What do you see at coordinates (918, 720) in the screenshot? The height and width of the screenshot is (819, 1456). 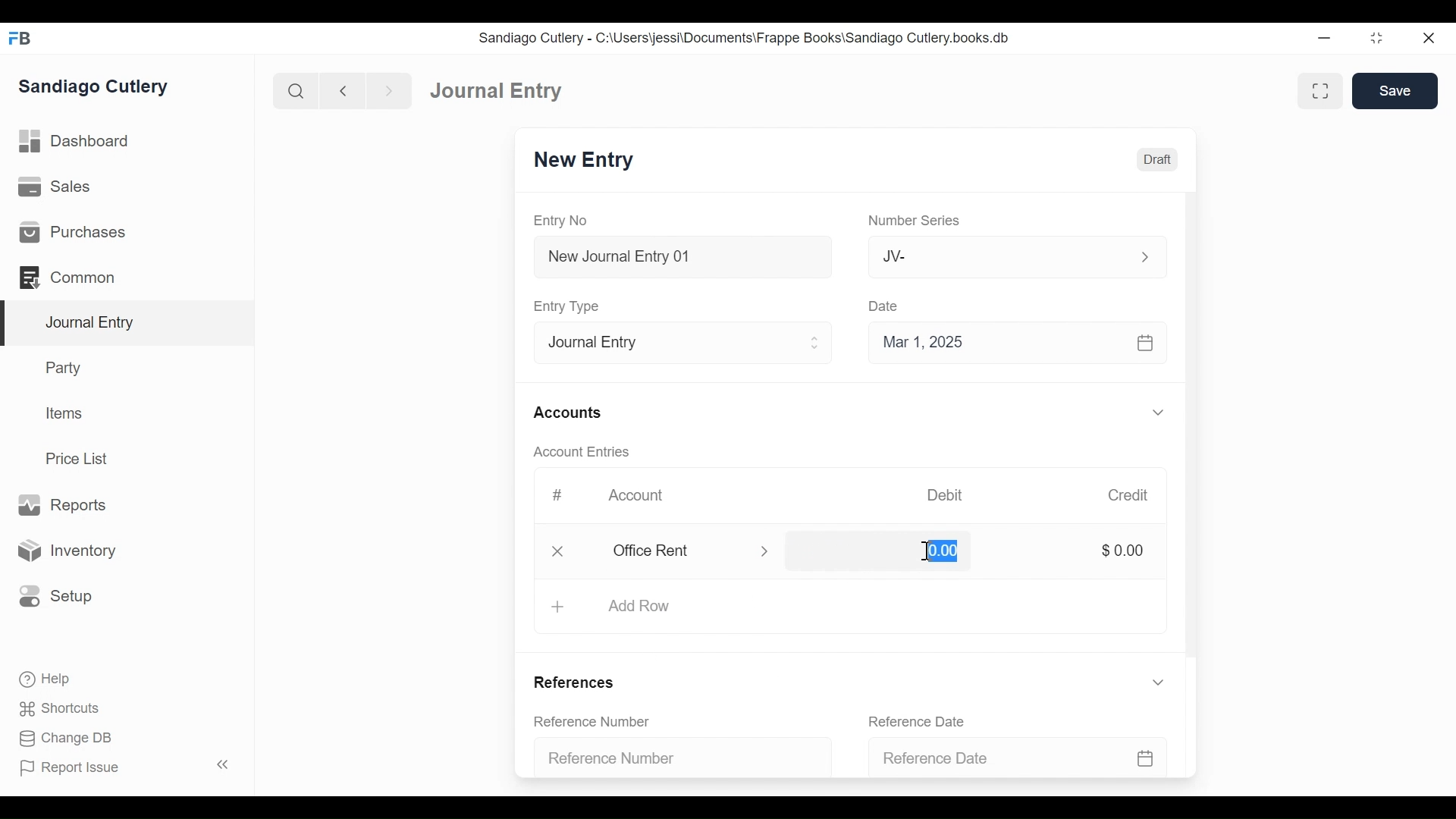 I see `Reference Date` at bounding box center [918, 720].